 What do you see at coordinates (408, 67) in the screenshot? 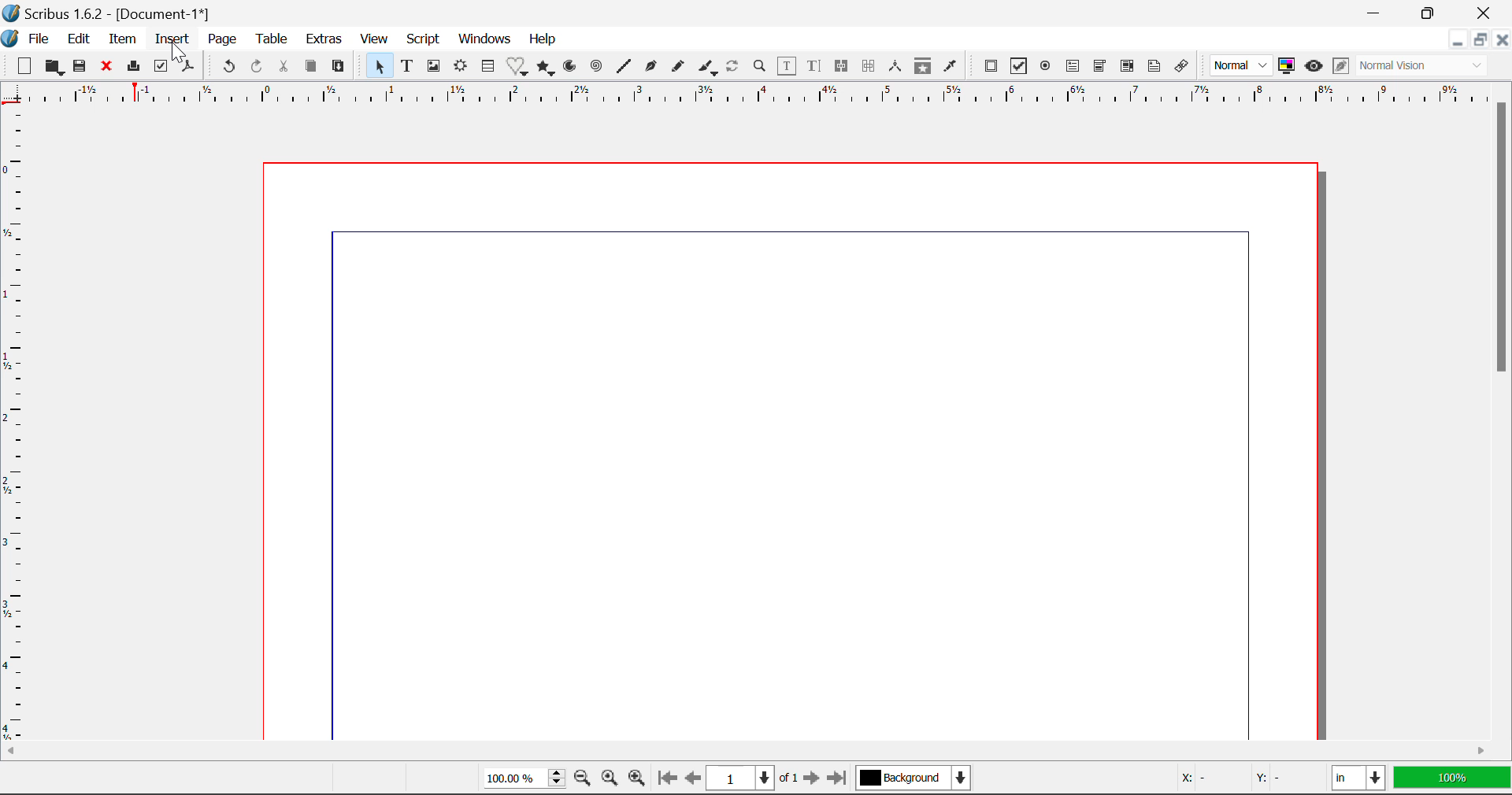
I see `Text Frames` at bounding box center [408, 67].